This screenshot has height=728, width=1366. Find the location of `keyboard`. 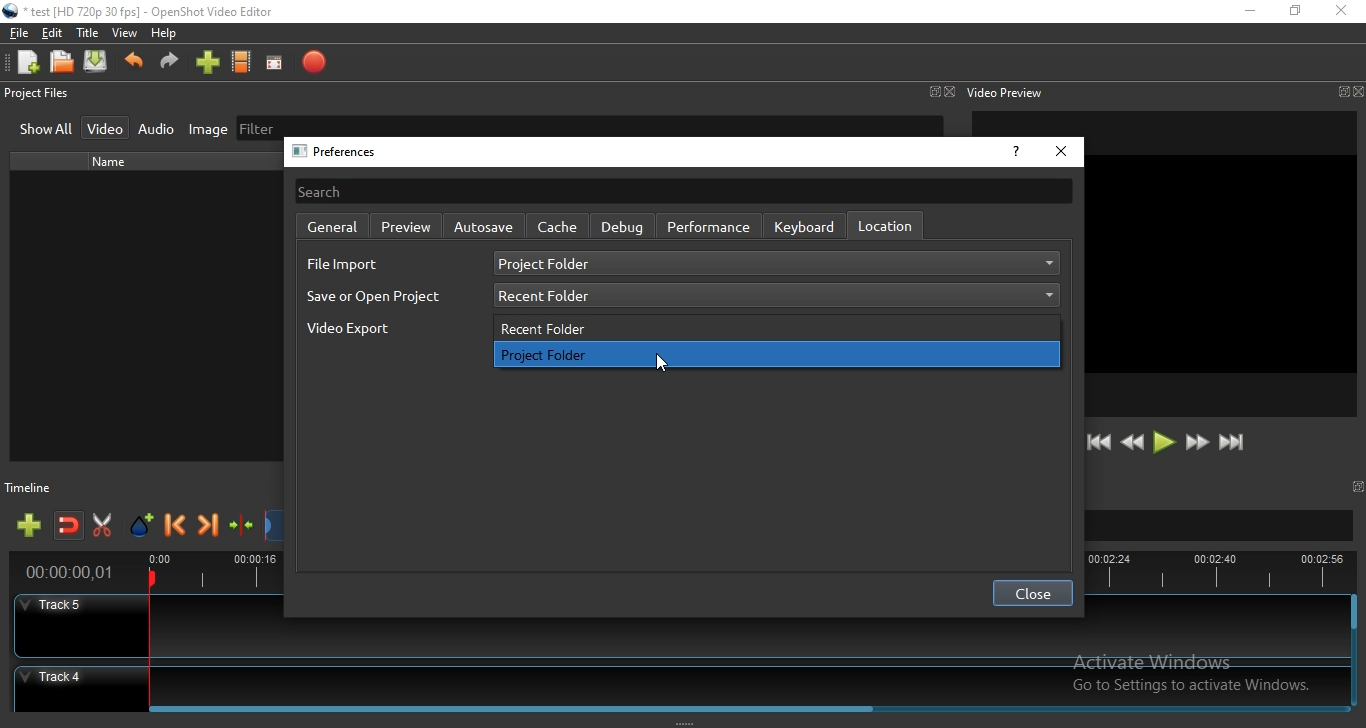

keyboard is located at coordinates (806, 226).